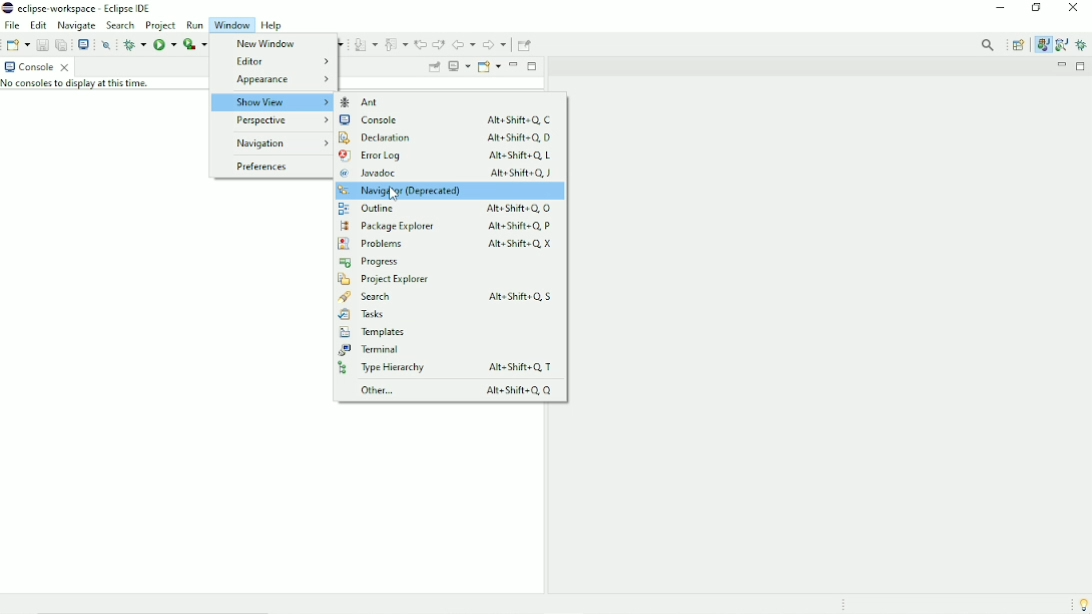  Describe the element at coordinates (420, 45) in the screenshot. I see `Previous edit location` at that location.